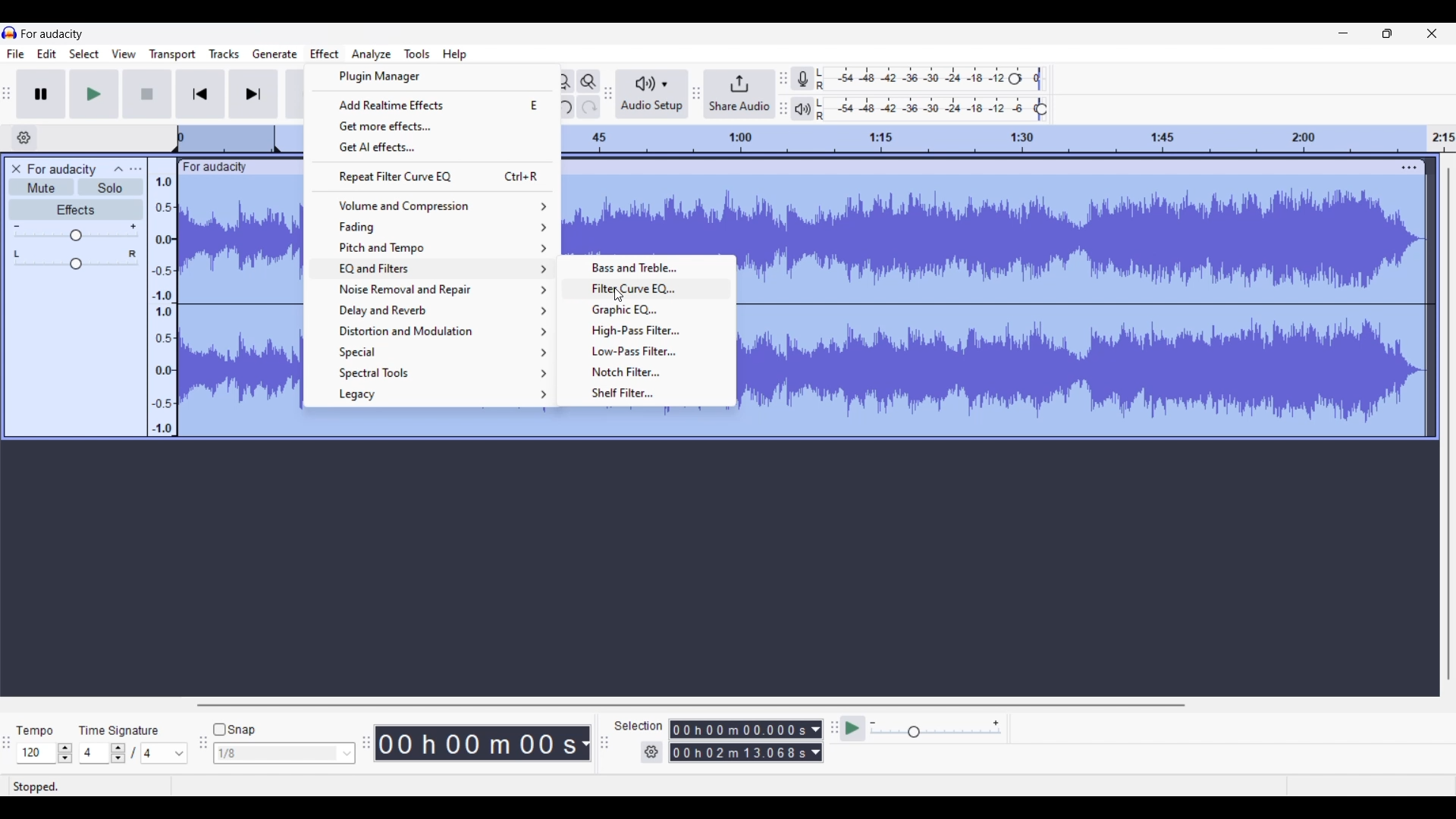 The image size is (1456, 819). I want to click on Special options, so click(433, 353).